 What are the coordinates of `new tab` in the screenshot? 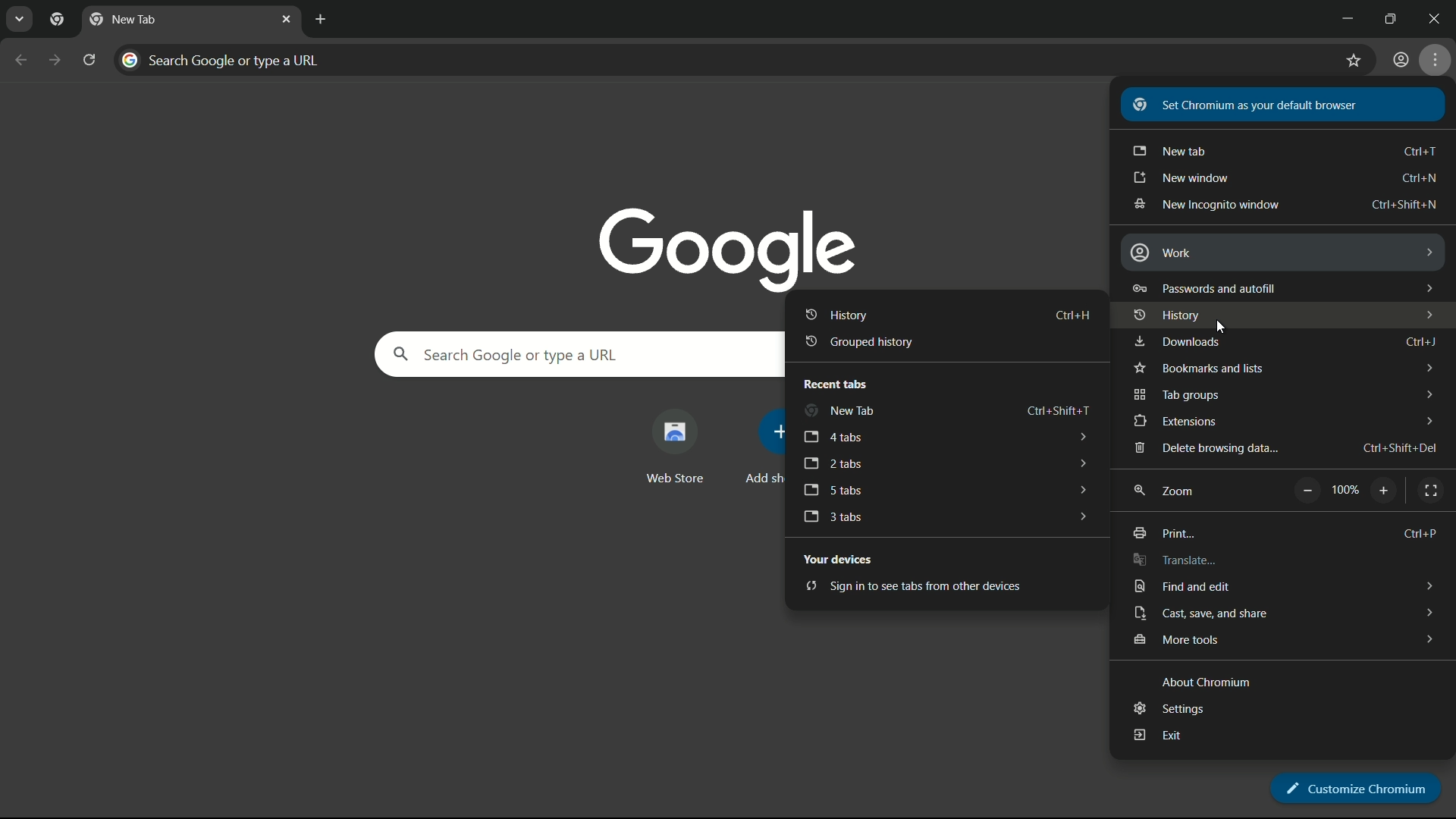 It's located at (838, 411).